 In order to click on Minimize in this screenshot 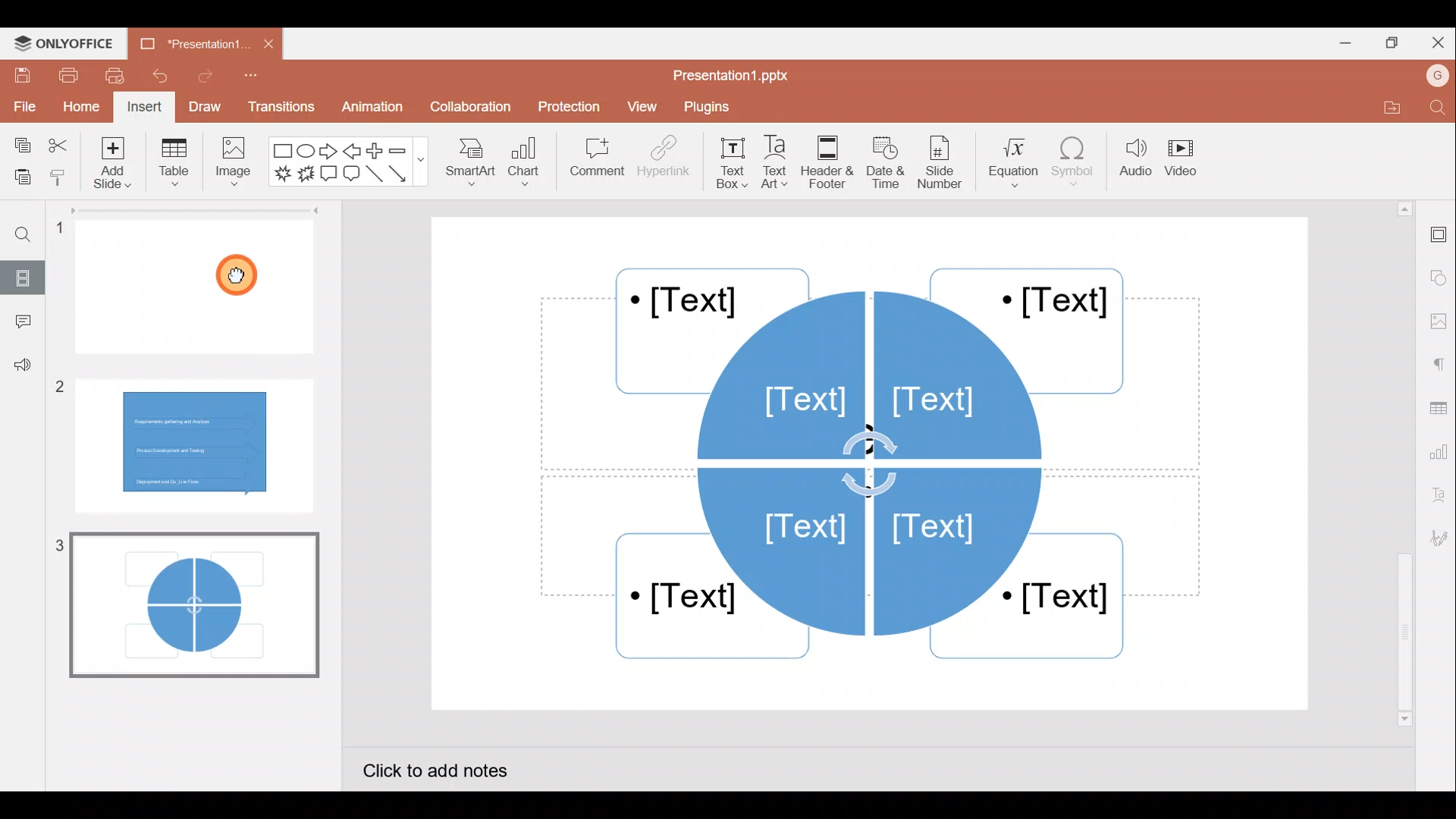, I will do `click(1341, 45)`.